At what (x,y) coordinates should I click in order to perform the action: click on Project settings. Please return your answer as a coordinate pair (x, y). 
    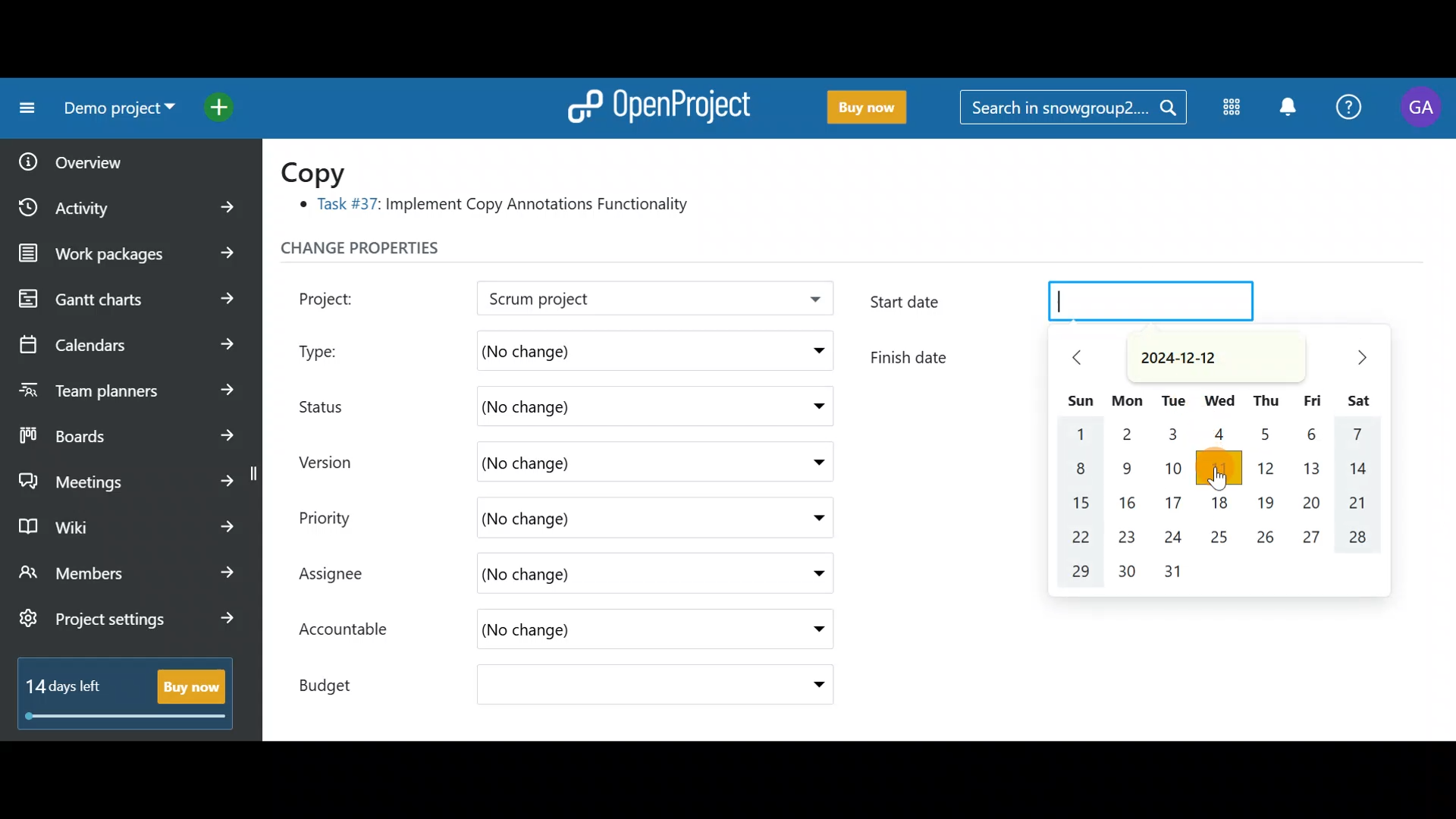
    Looking at the image, I should click on (127, 626).